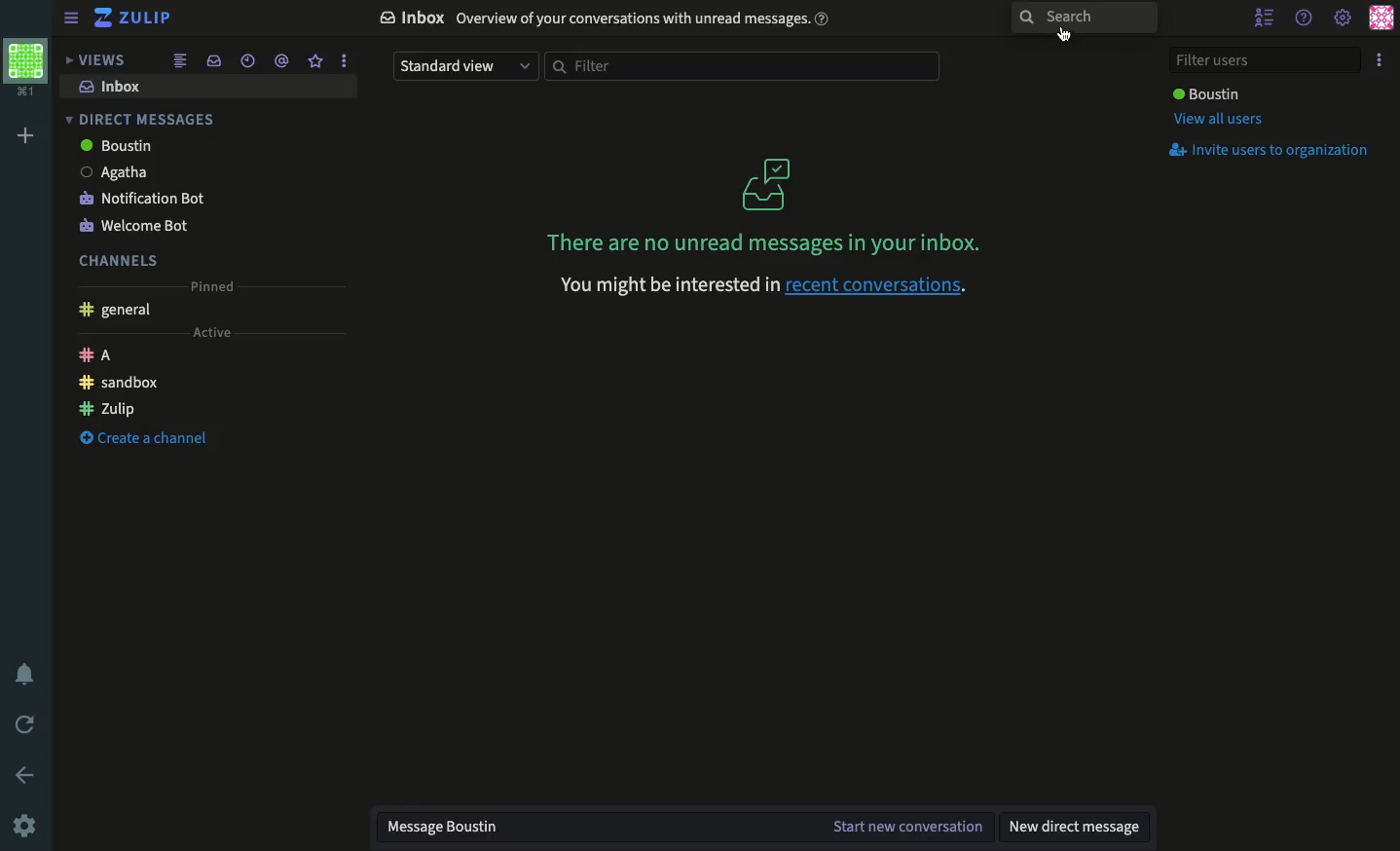 The image size is (1400, 851). Describe the element at coordinates (1216, 122) in the screenshot. I see `View all users` at that location.